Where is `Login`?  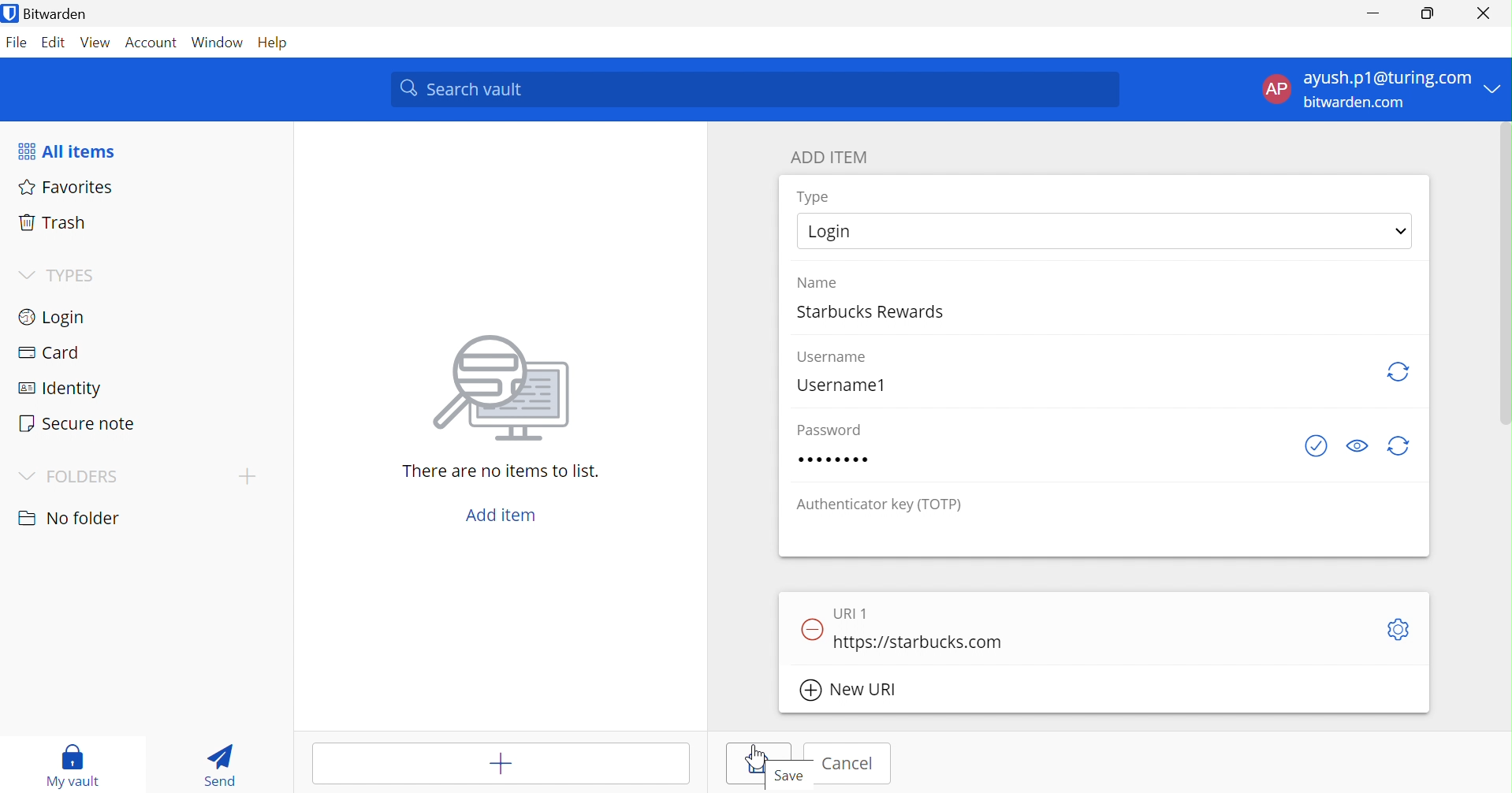 Login is located at coordinates (50, 319).